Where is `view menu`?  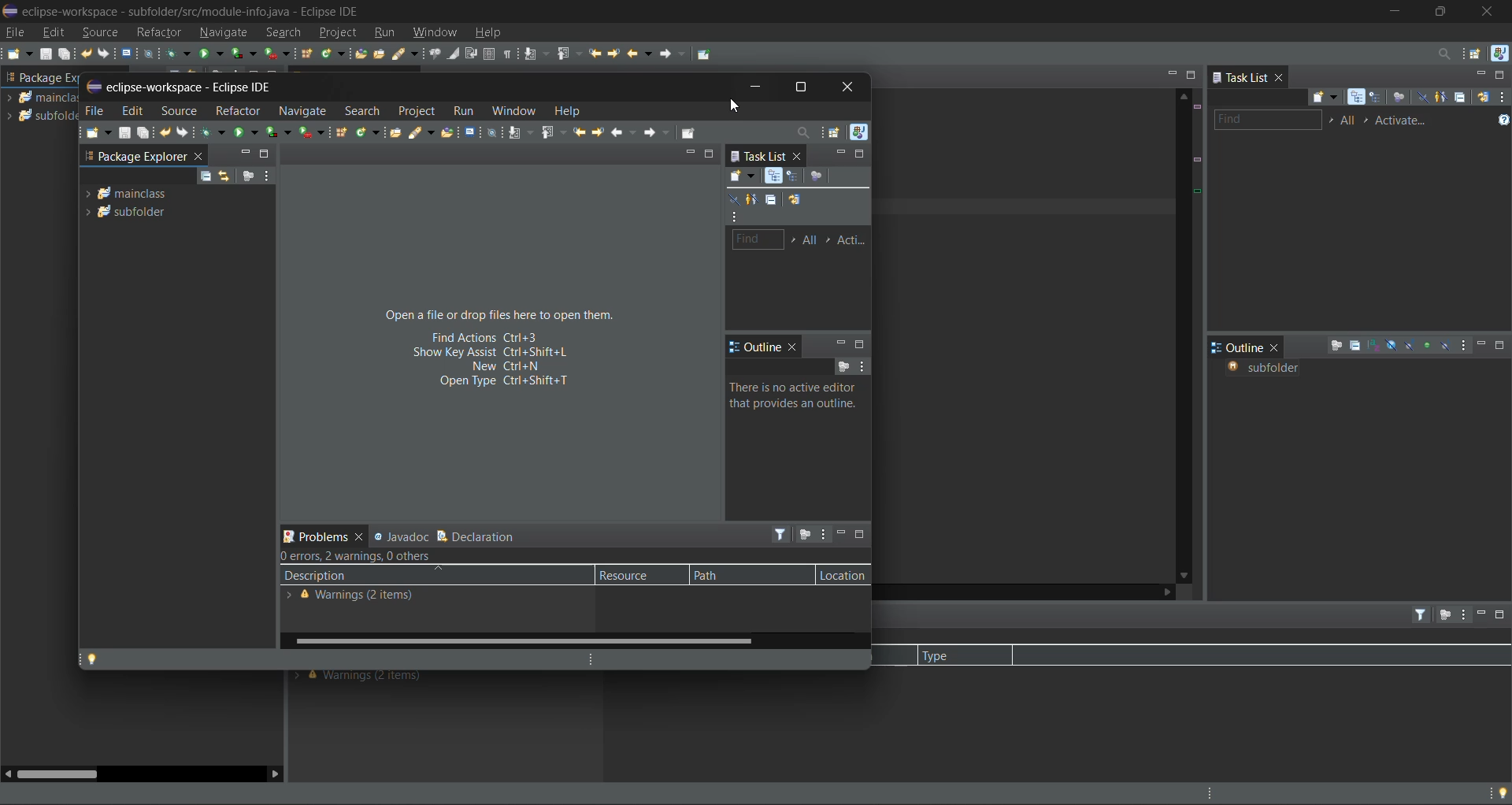
view menu is located at coordinates (1503, 98).